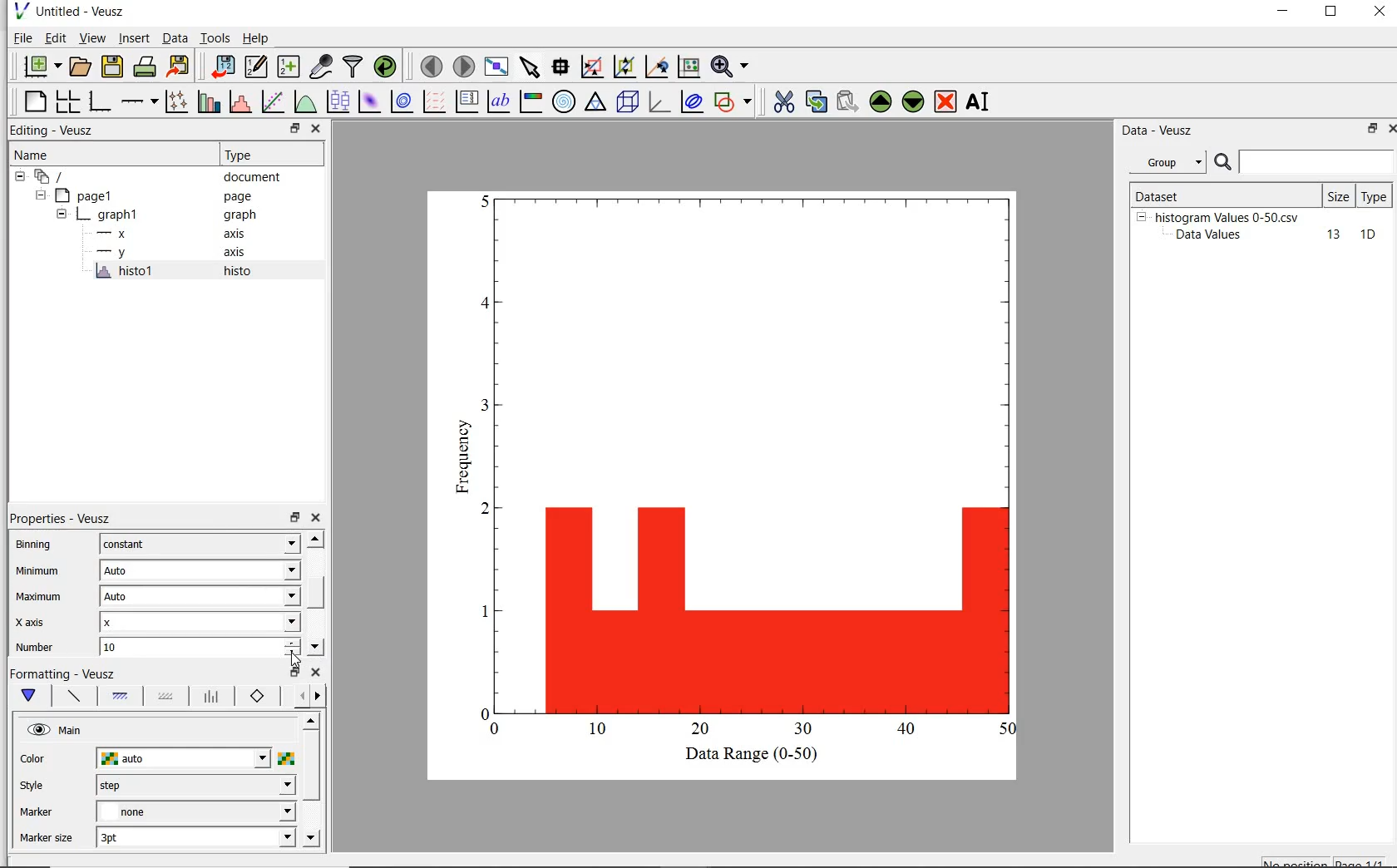  What do you see at coordinates (291, 65) in the screenshot?
I see `create new datasets using ranges, parametrically or as functions of existing datasets` at bounding box center [291, 65].